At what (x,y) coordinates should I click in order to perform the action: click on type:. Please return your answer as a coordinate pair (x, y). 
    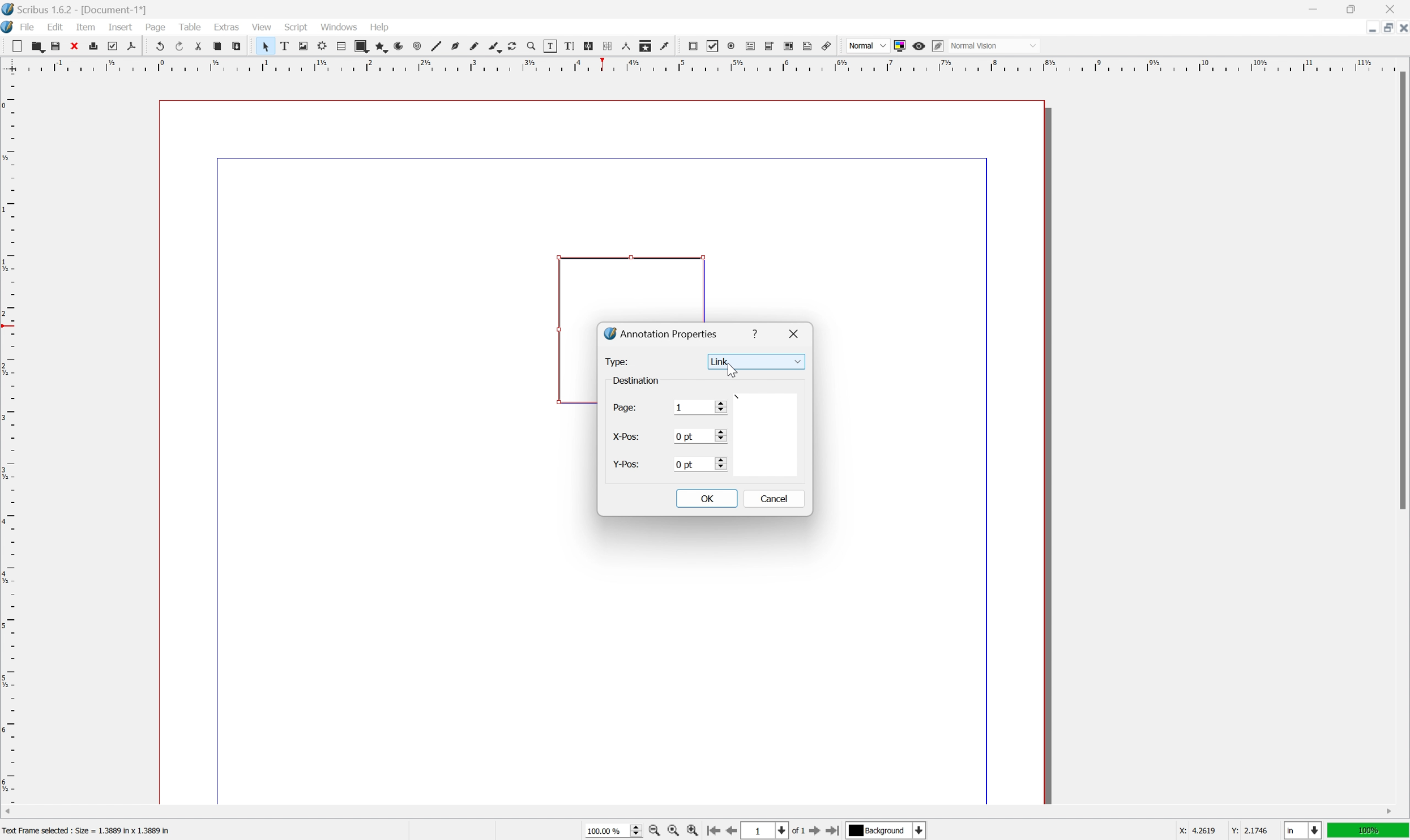
    Looking at the image, I should click on (619, 362).